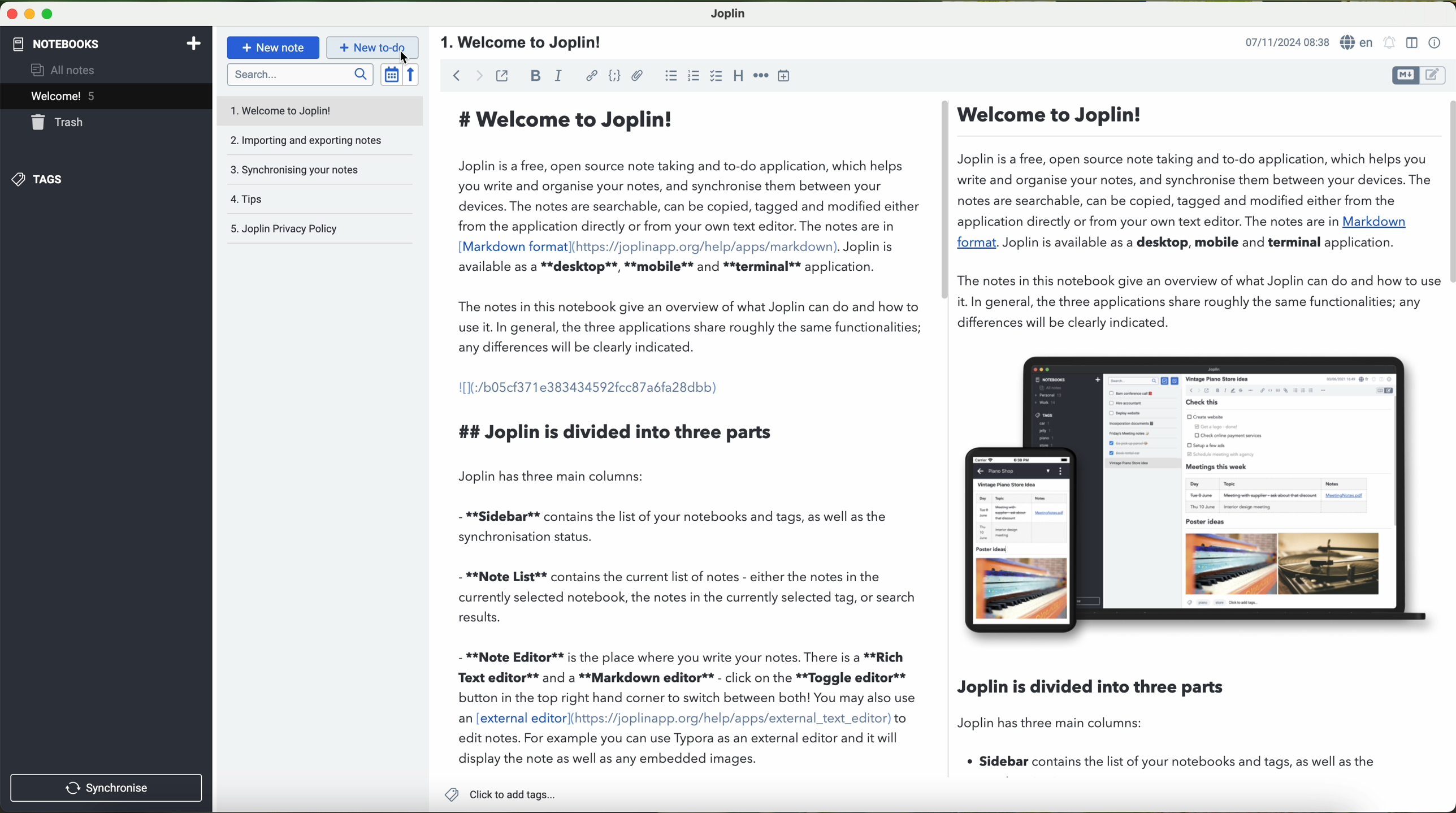 The height and width of the screenshot is (813, 1456). I want to click on synchronising your notes, so click(321, 171).